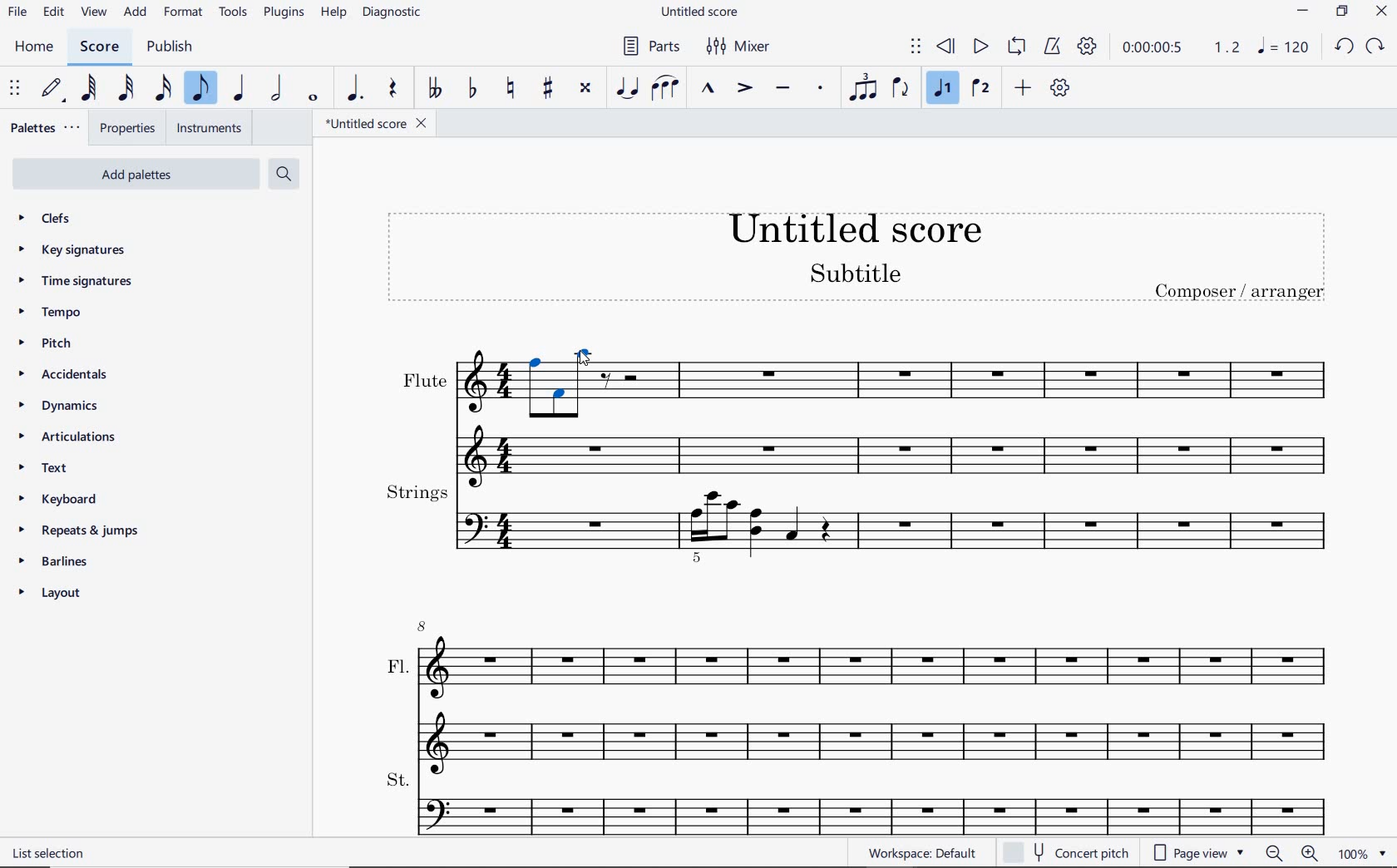 This screenshot has height=868, width=1397. What do you see at coordinates (186, 14) in the screenshot?
I see `FORMAT` at bounding box center [186, 14].